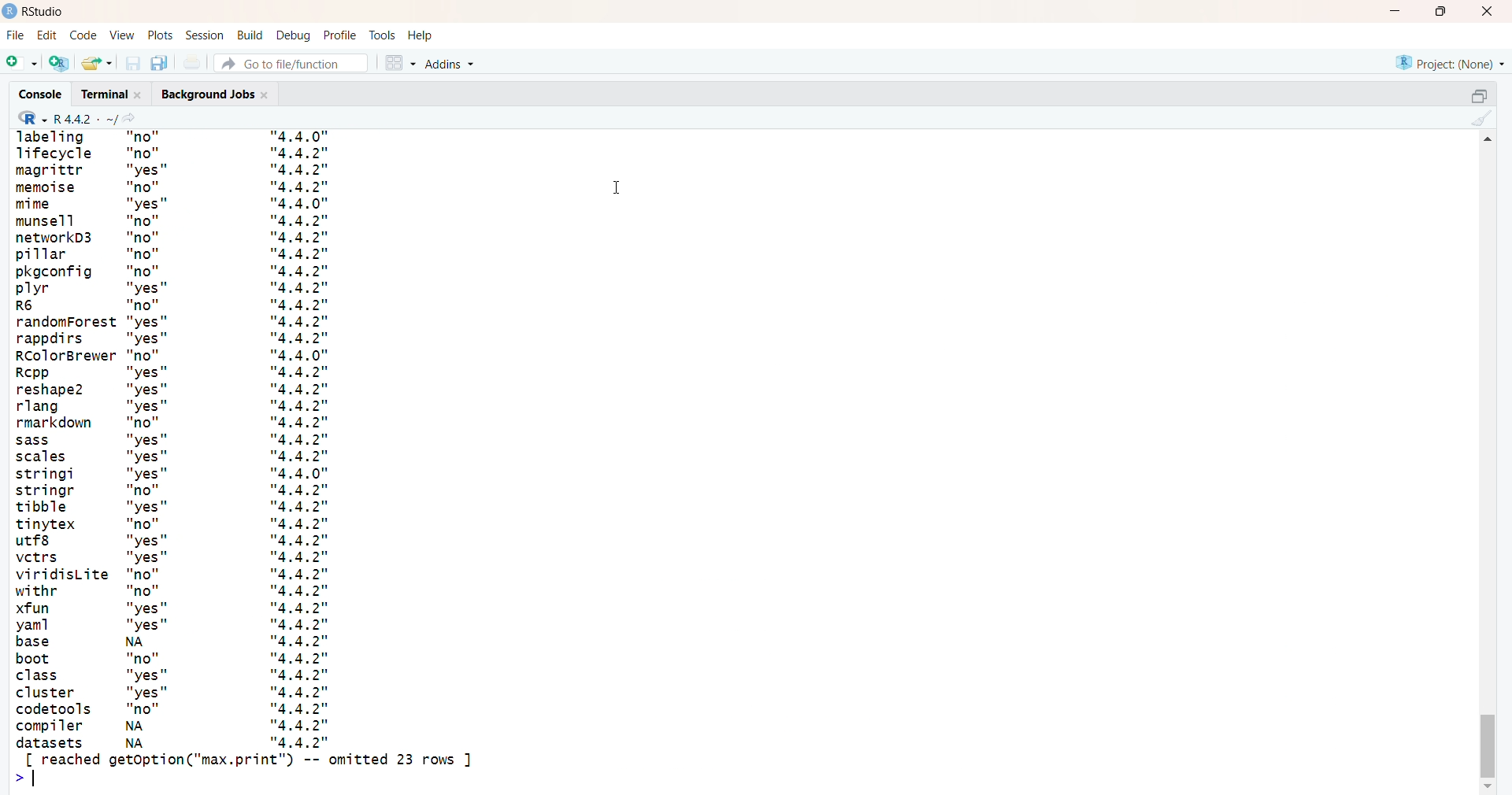 The width and height of the screenshot is (1512, 795). I want to click on minimize, so click(1392, 11).